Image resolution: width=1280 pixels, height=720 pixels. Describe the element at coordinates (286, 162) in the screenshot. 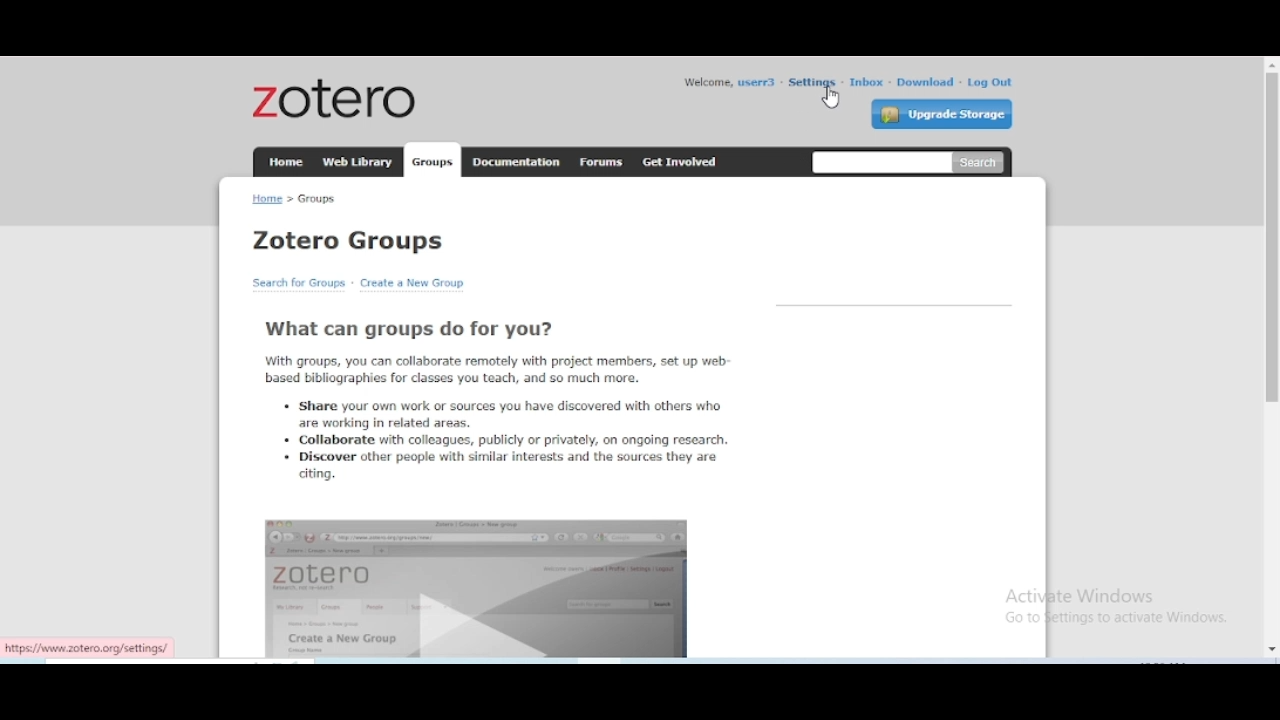

I see `home` at that location.